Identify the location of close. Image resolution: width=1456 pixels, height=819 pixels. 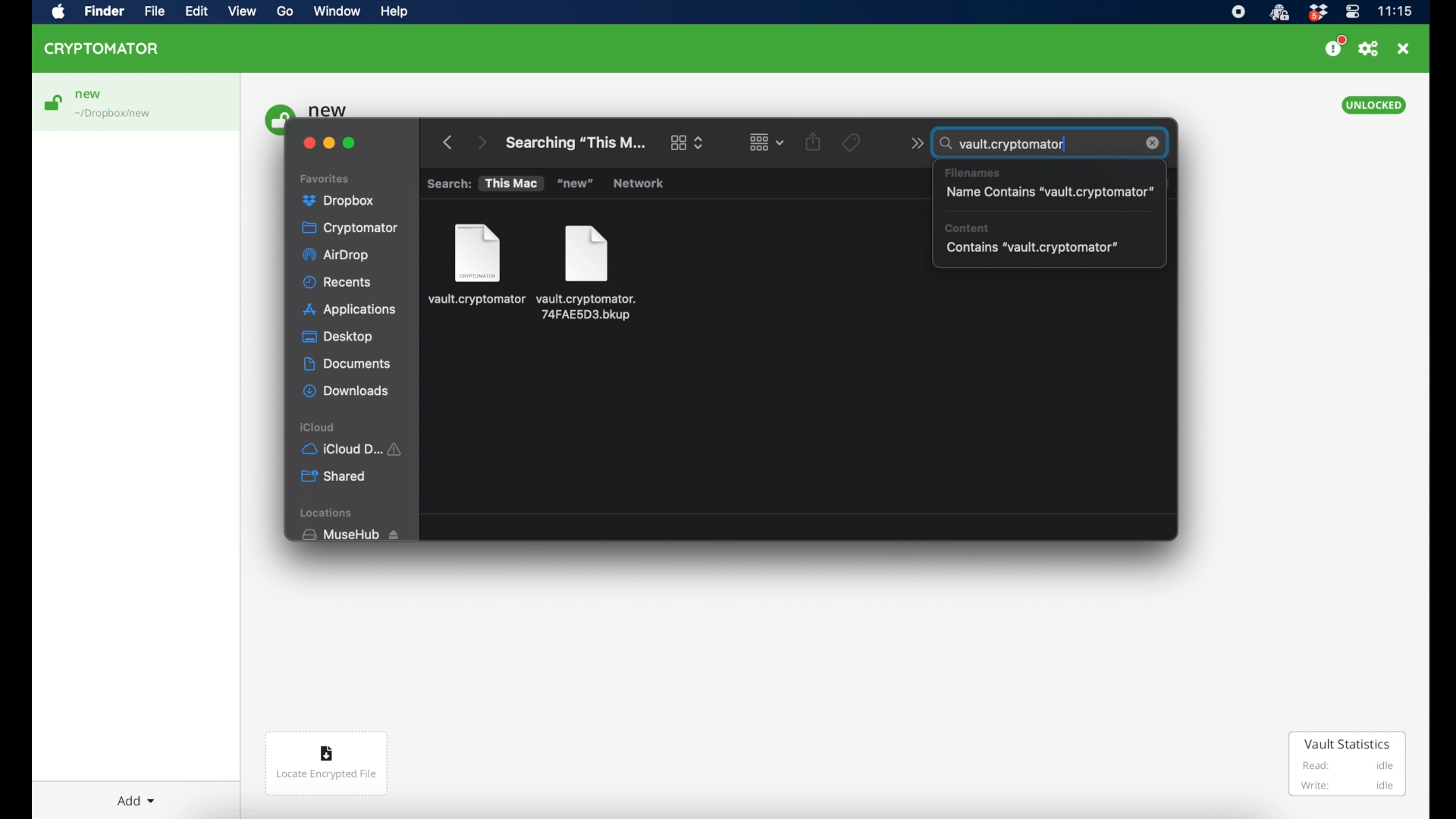
(1153, 143).